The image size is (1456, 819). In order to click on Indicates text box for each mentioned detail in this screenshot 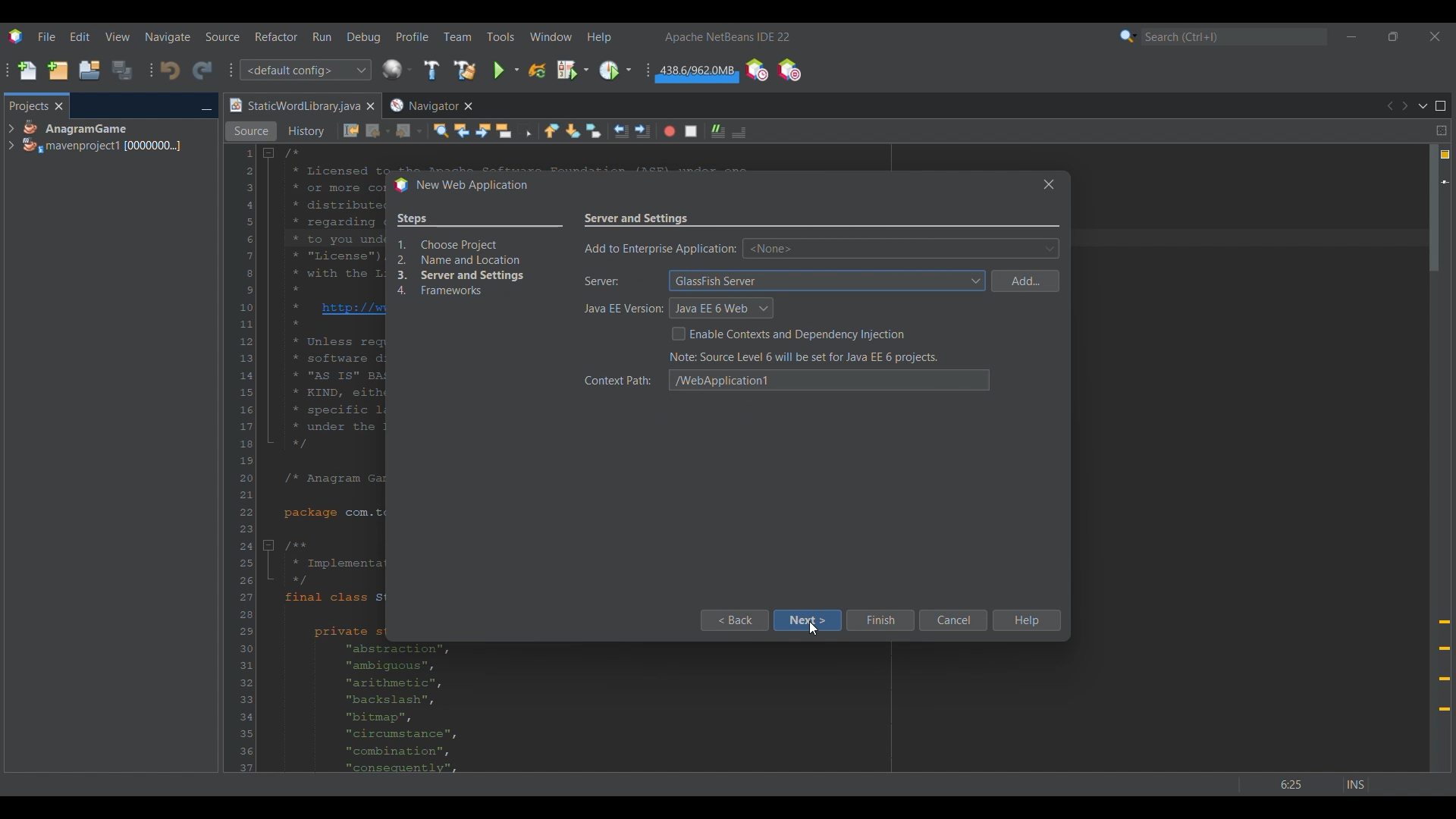, I will do `click(620, 298)`.